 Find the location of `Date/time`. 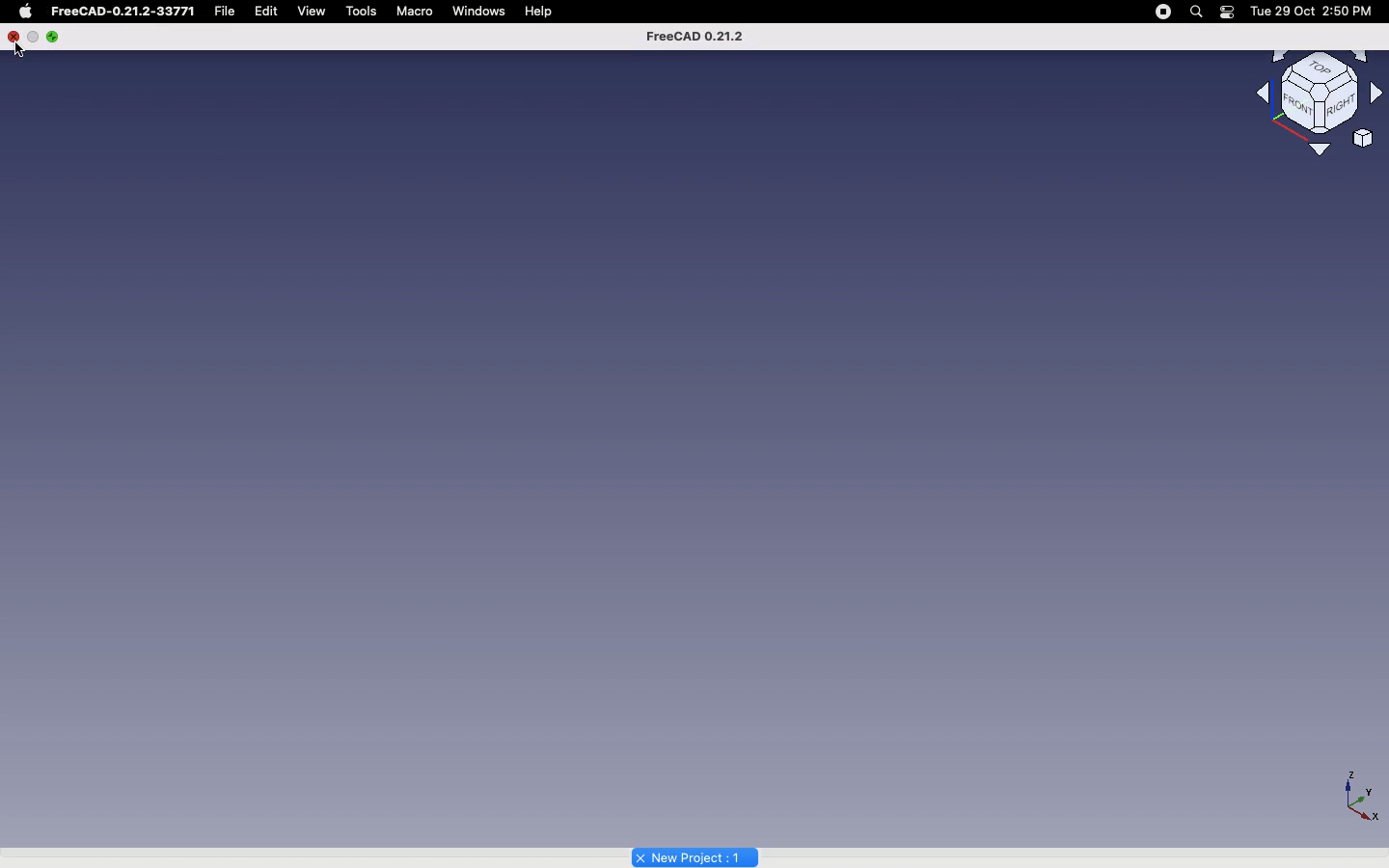

Date/time is located at coordinates (1315, 11).